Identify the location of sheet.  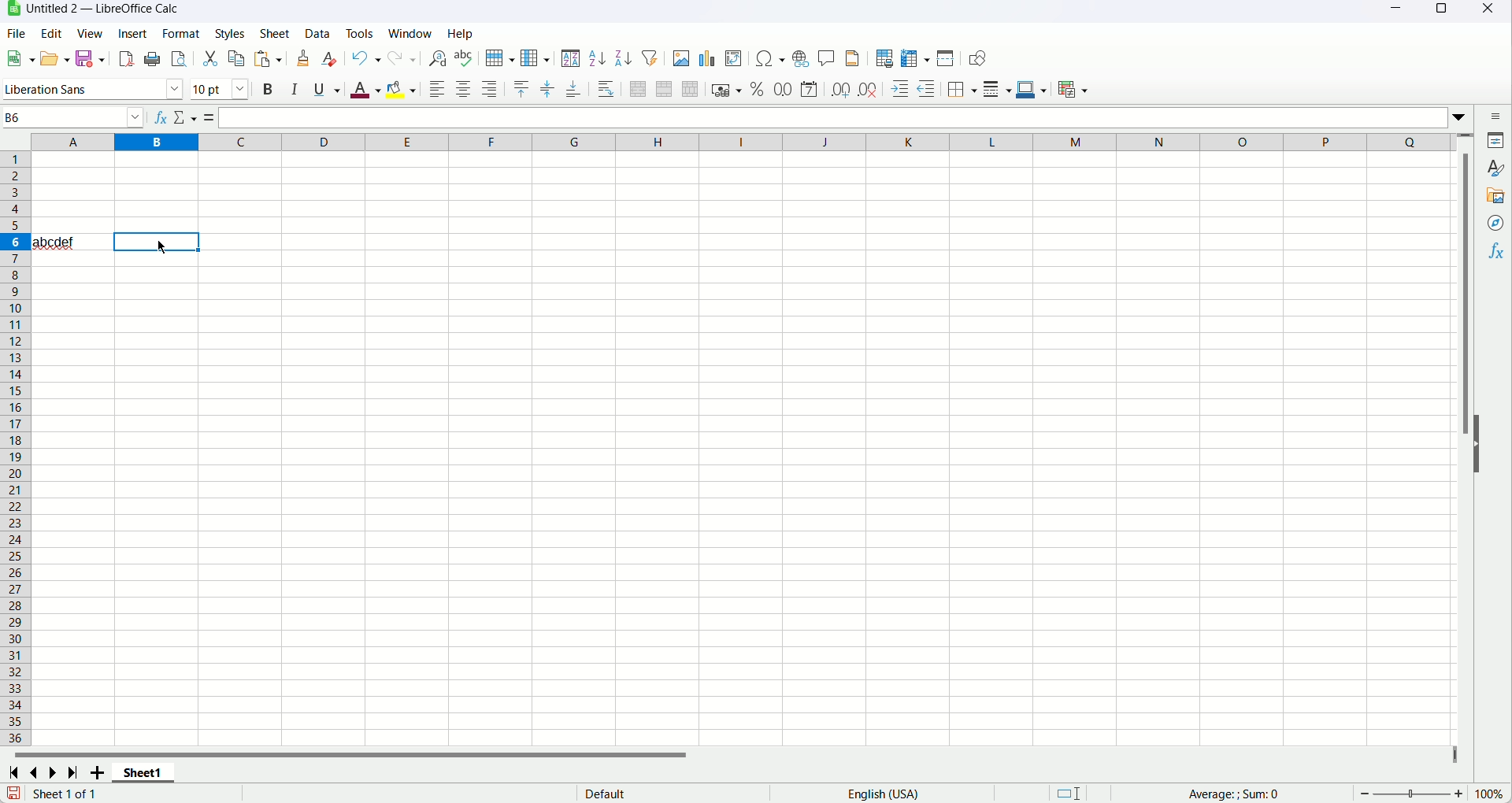
(275, 32).